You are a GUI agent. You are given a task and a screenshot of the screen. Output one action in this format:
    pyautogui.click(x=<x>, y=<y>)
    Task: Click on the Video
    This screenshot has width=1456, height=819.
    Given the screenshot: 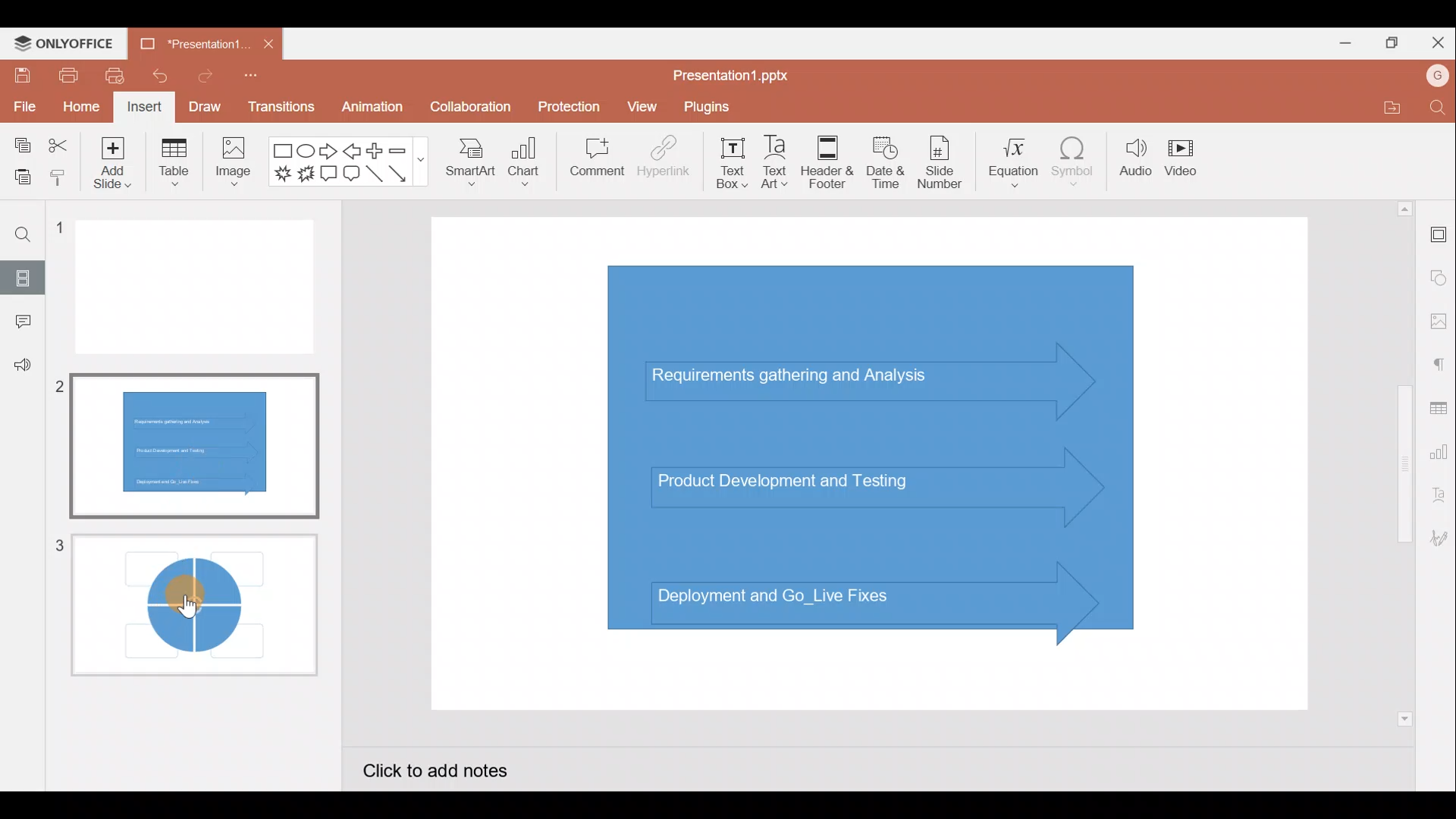 What is the action you would take?
    pyautogui.click(x=1187, y=157)
    